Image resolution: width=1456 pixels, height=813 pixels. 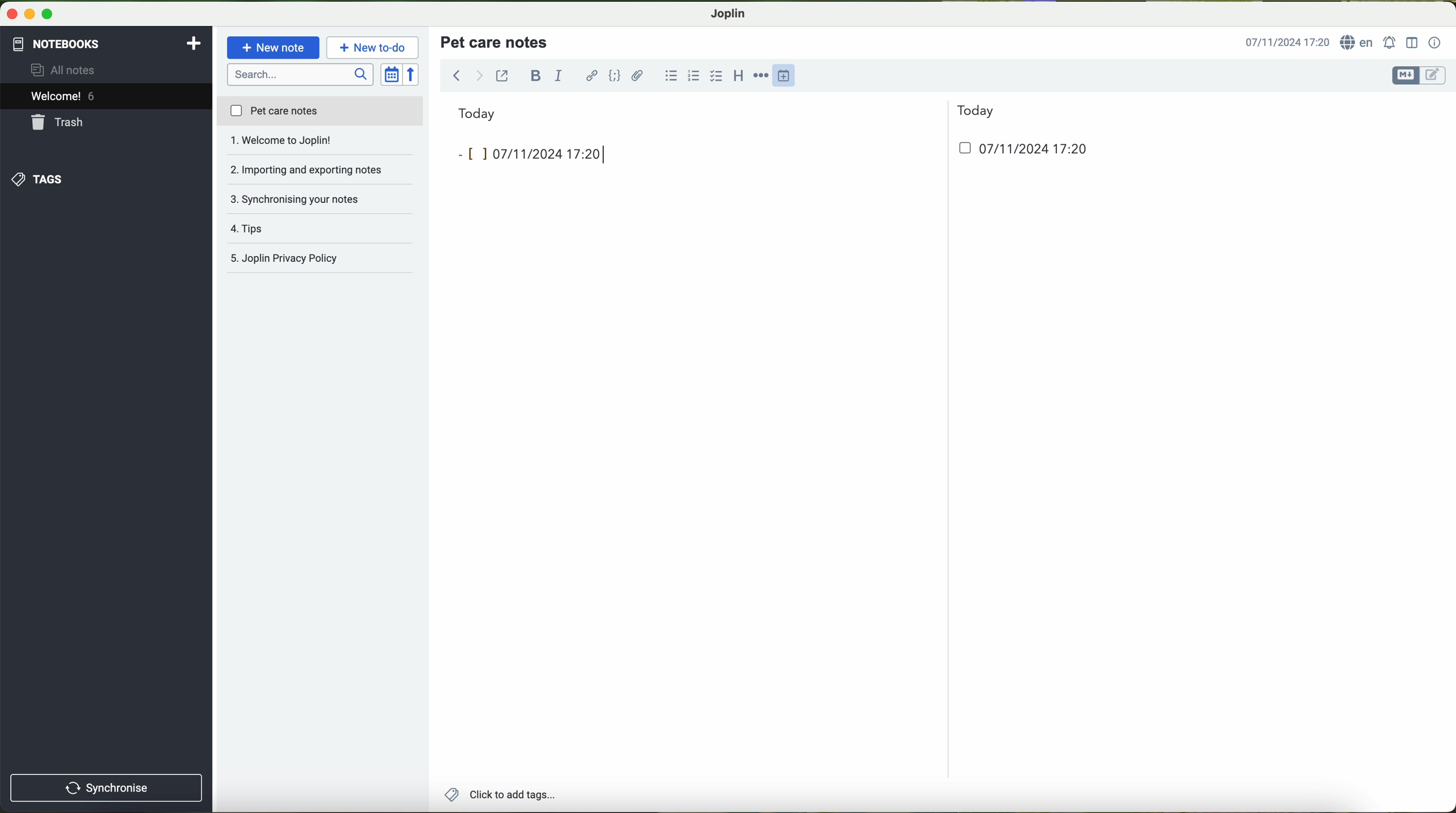 What do you see at coordinates (763, 76) in the screenshot?
I see `horizontal rule` at bounding box center [763, 76].